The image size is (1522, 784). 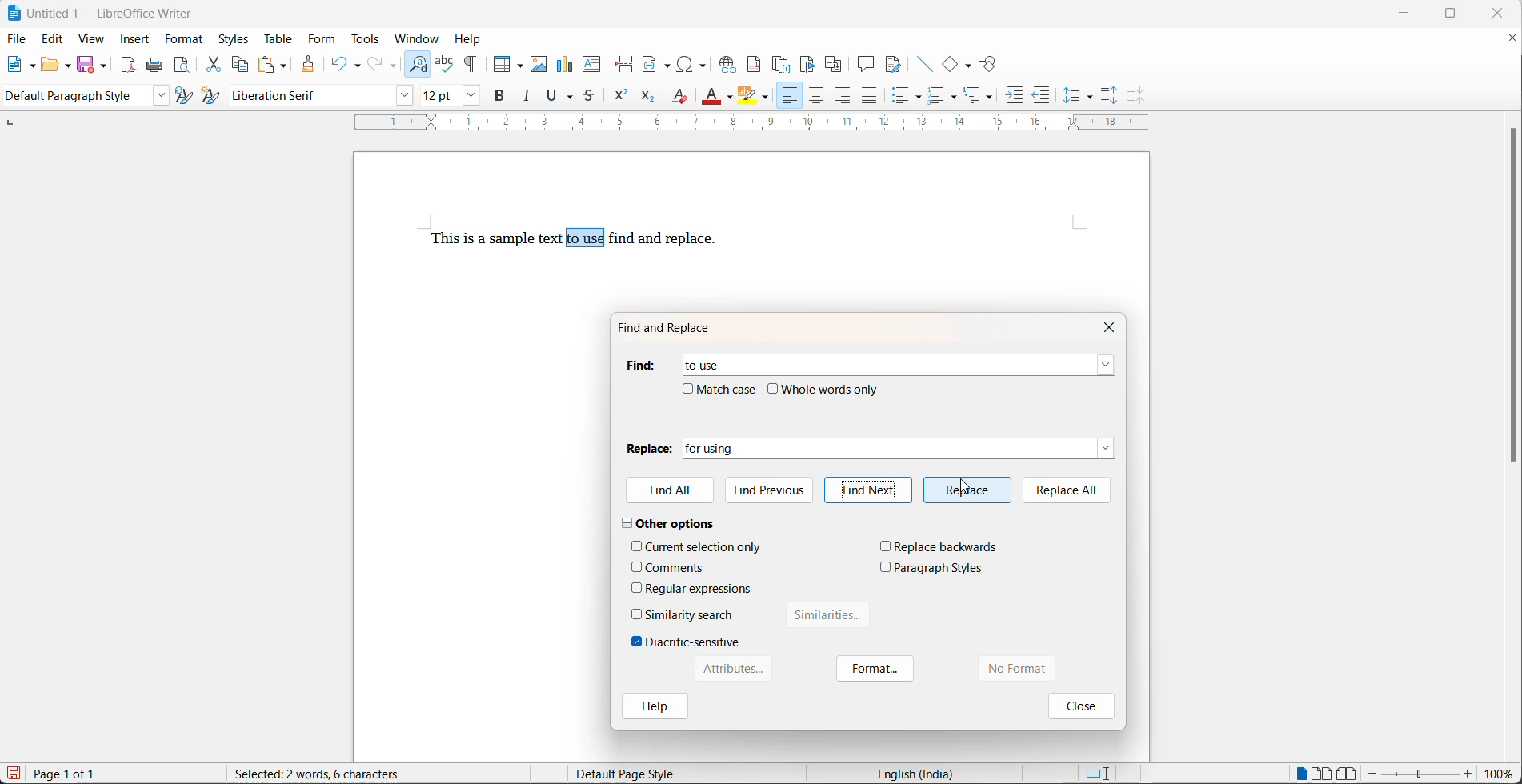 What do you see at coordinates (844, 98) in the screenshot?
I see `text align left` at bounding box center [844, 98].